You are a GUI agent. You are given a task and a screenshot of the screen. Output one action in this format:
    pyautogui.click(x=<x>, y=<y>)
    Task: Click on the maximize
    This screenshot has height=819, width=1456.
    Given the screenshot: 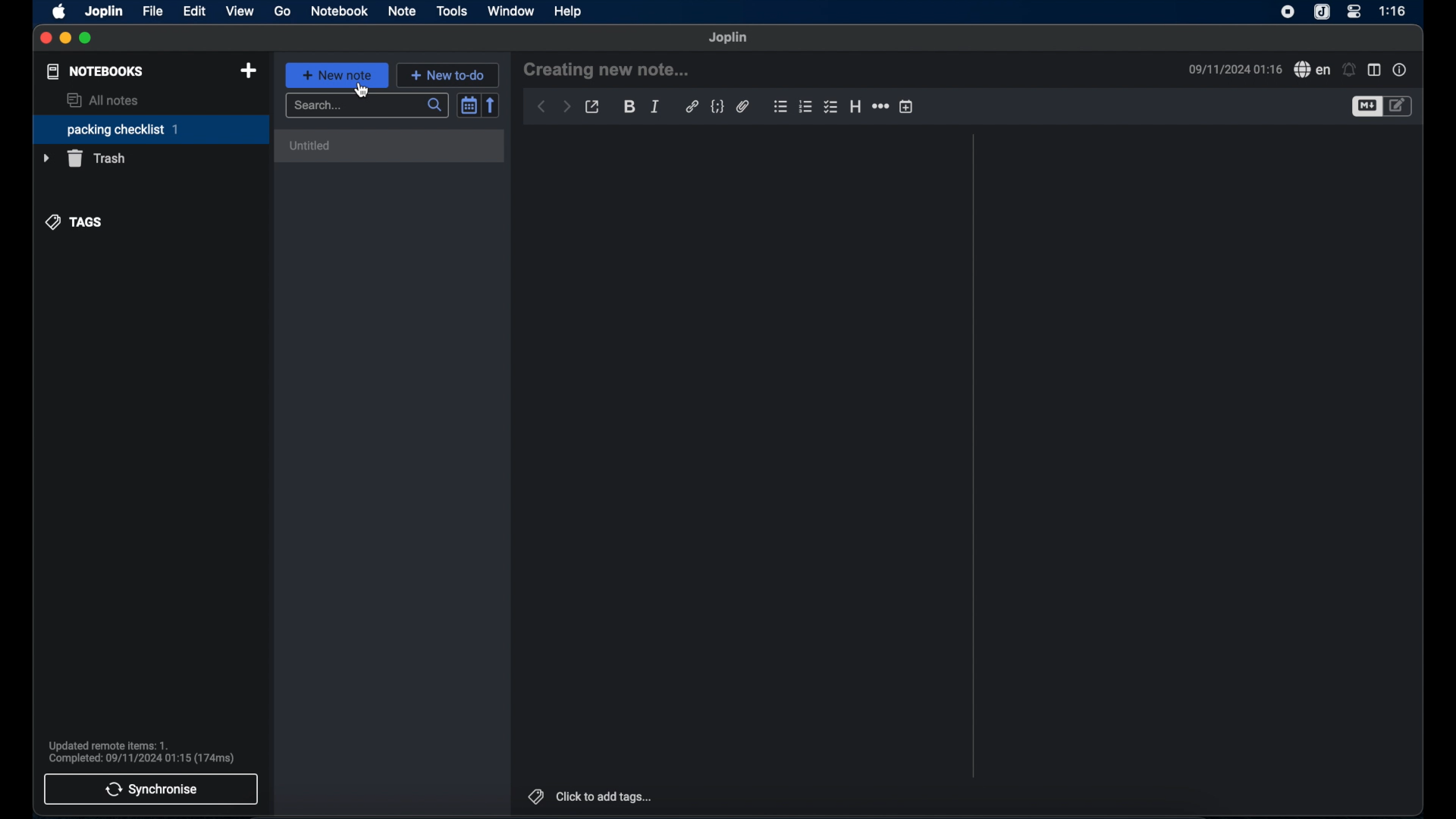 What is the action you would take?
    pyautogui.click(x=86, y=39)
    